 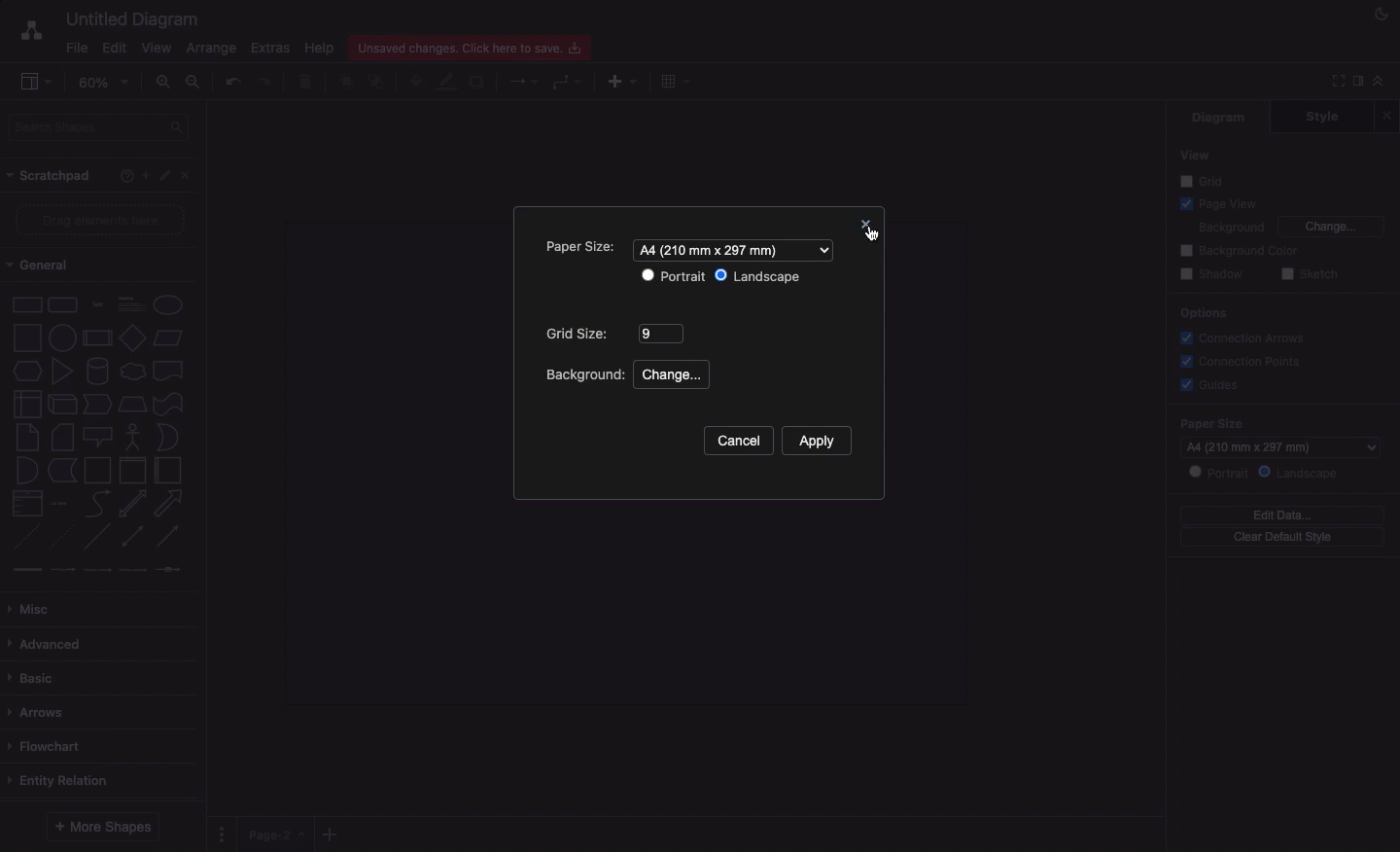 I want to click on Page, so click(x=277, y=834).